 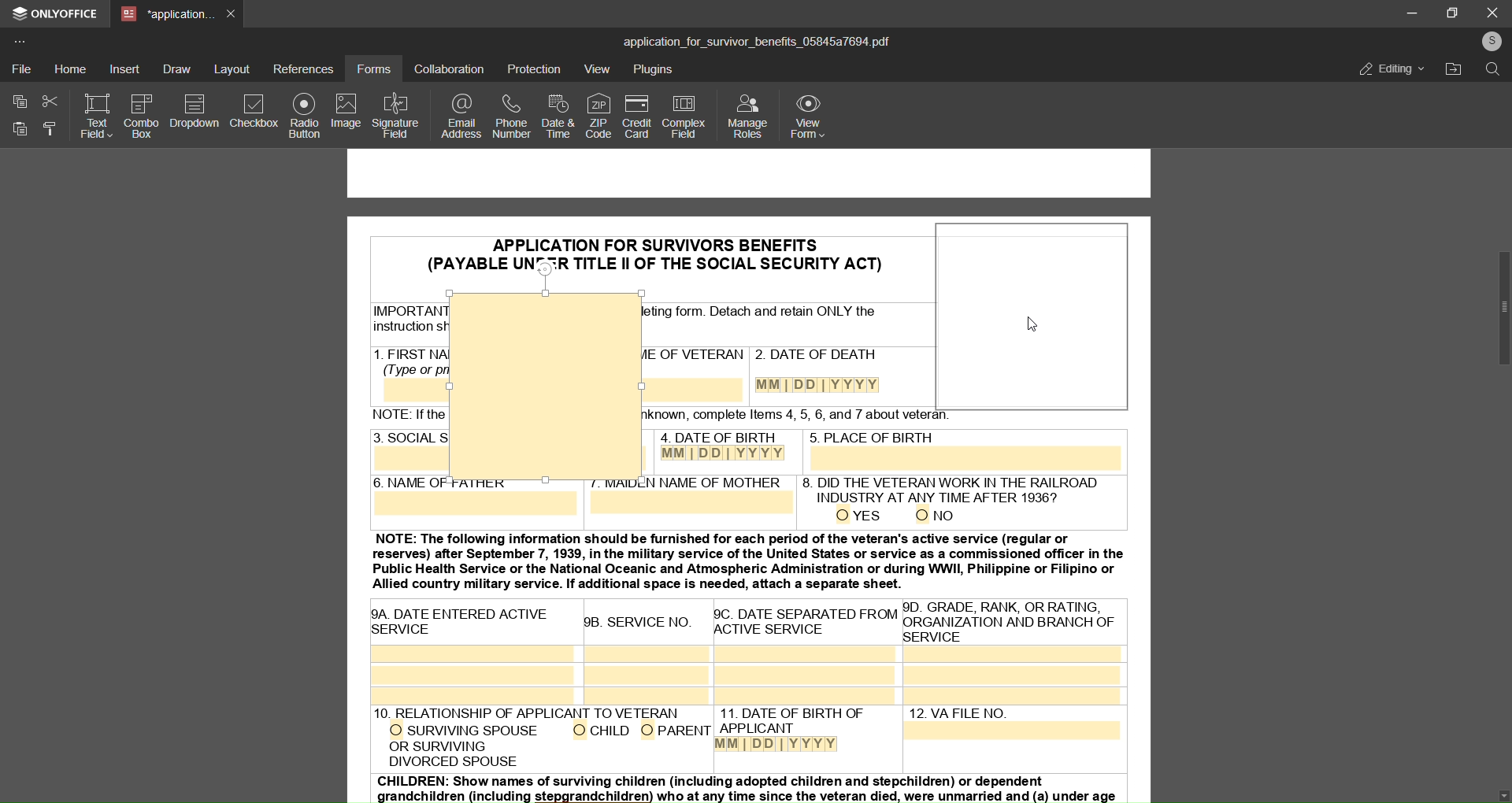 I want to click on home, so click(x=71, y=68).